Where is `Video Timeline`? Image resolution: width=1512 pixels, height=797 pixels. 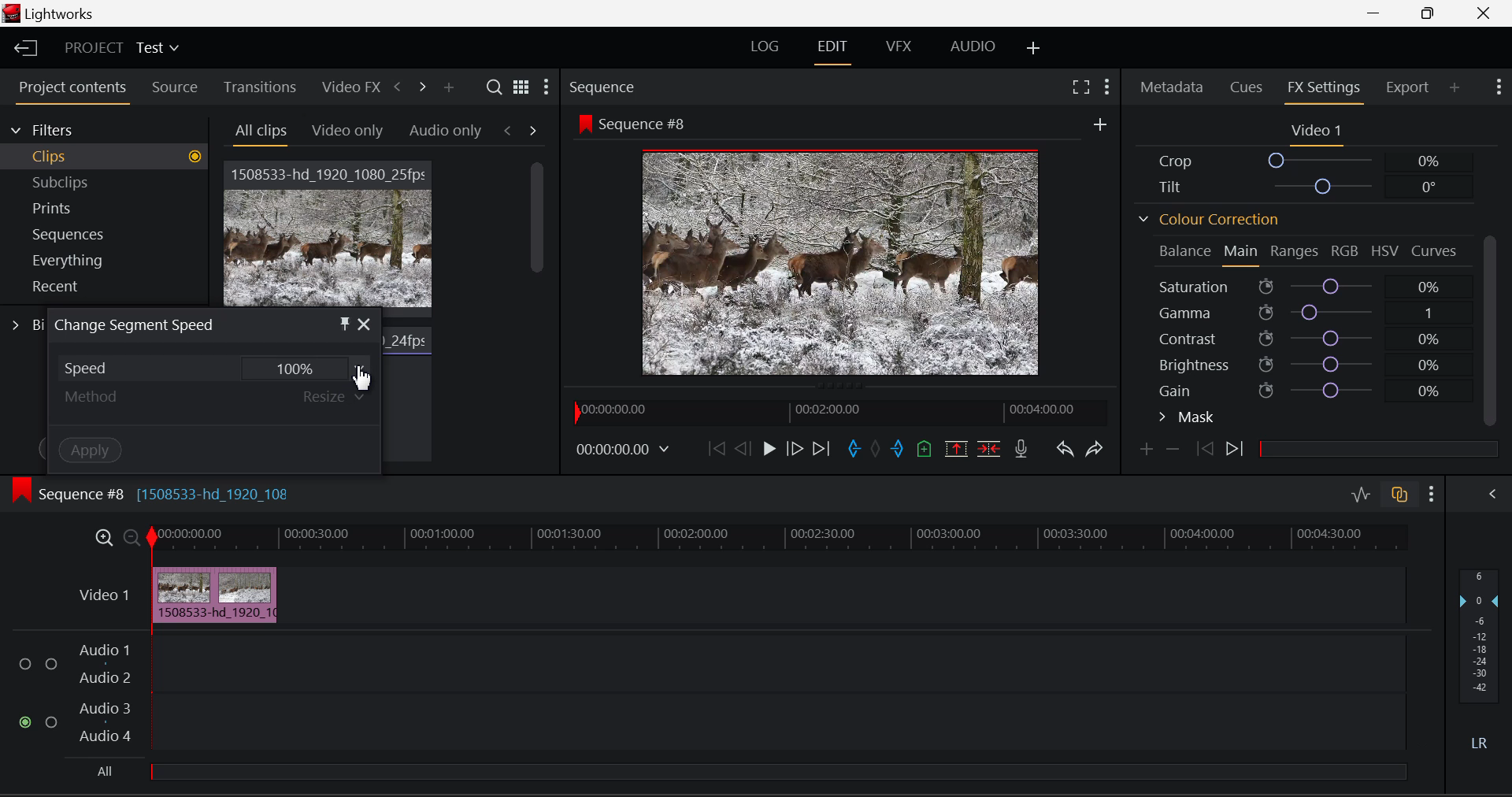 Video Timeline is located at coordinates (776, 539).